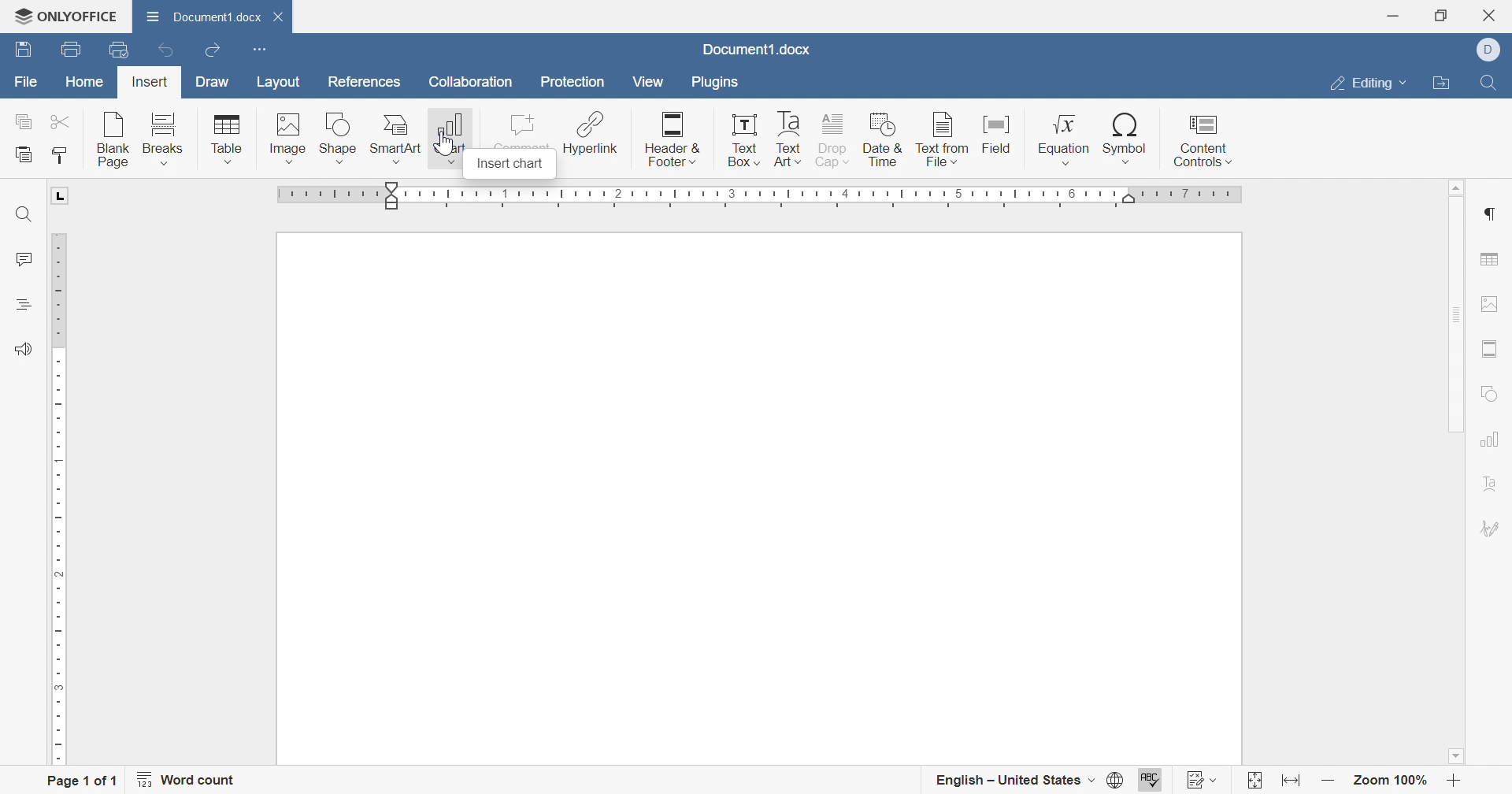  What do you see at coordinates (1494, 394) in the screenshot?
I see `Shape settings` at bounding box center [1494, 394].